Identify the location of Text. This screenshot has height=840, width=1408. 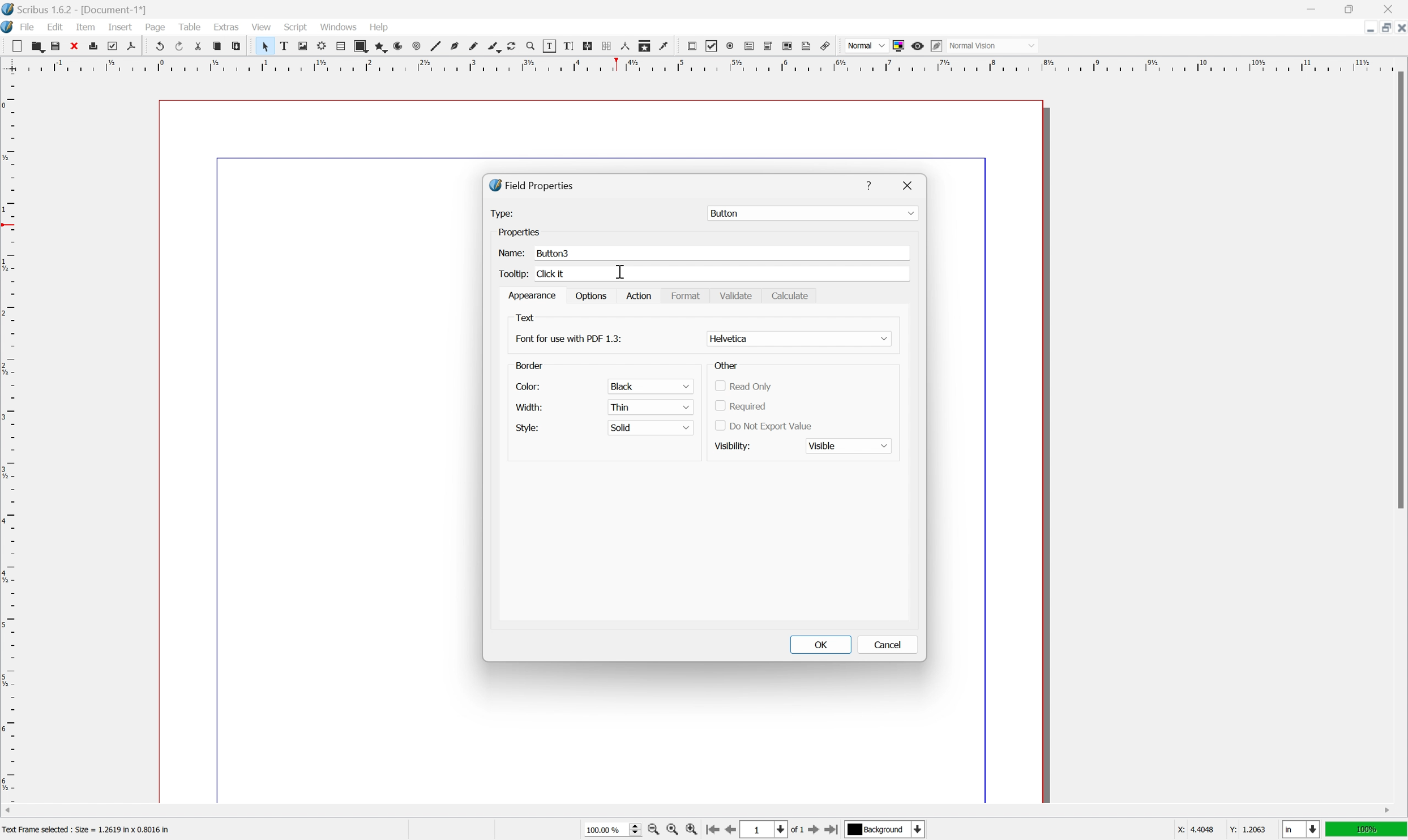
(525, 318).